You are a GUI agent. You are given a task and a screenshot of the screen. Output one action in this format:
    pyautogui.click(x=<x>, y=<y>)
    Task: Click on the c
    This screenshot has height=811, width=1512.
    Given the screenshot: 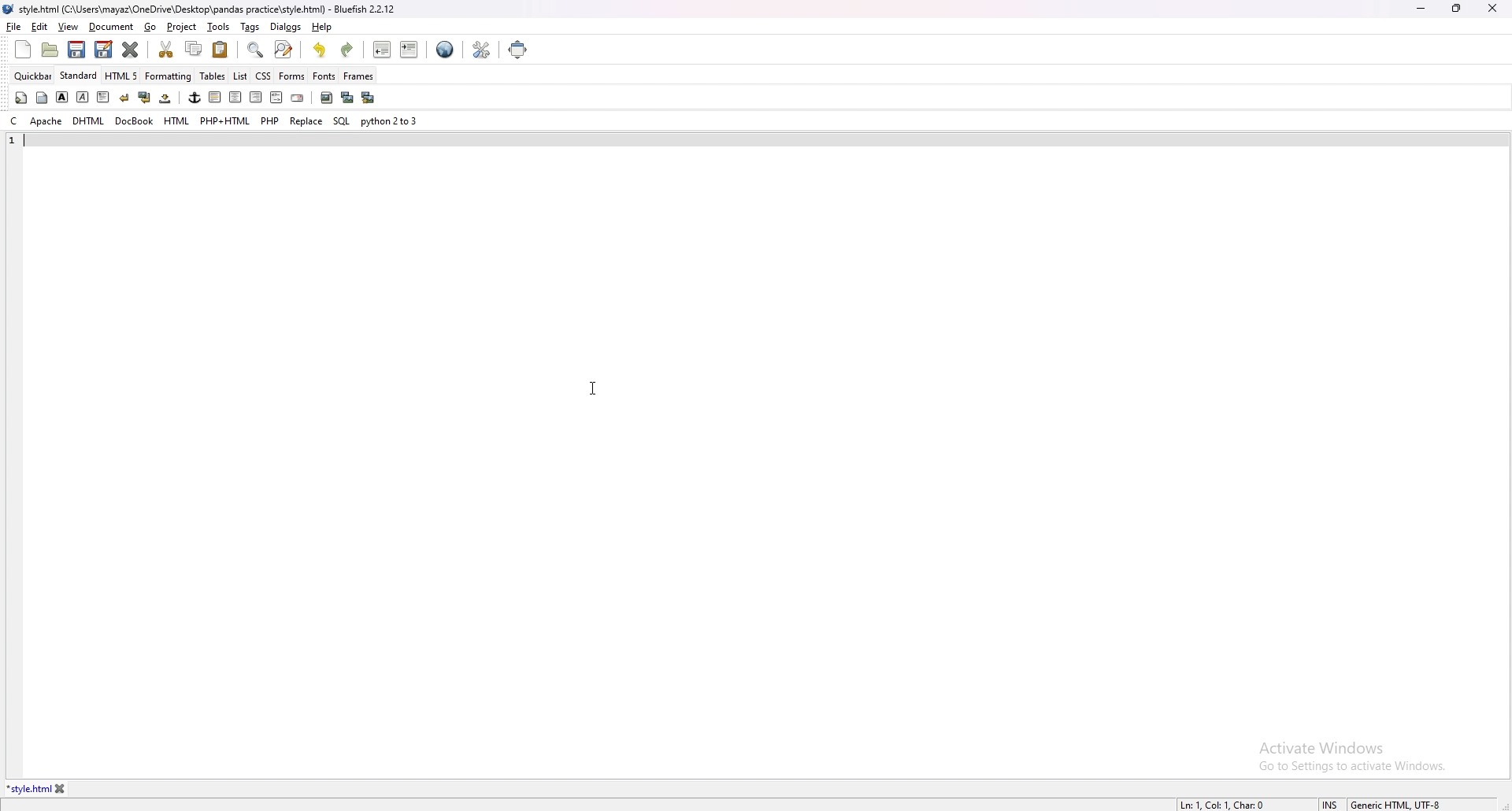 What is the action you would take?
    pyautogui.click(x=13, y=121)
    